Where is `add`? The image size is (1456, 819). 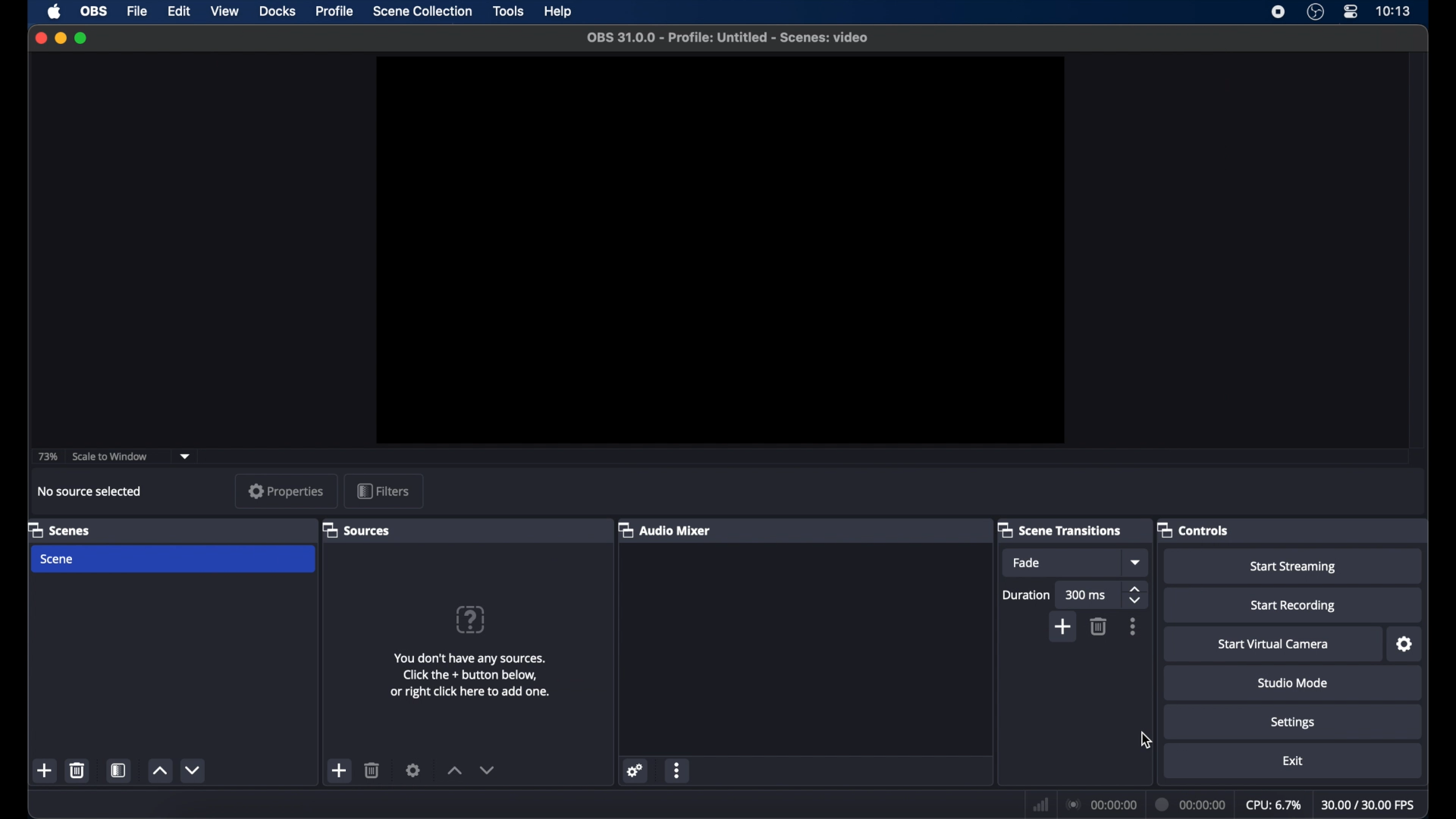 add is located at coordinates (45, 770).